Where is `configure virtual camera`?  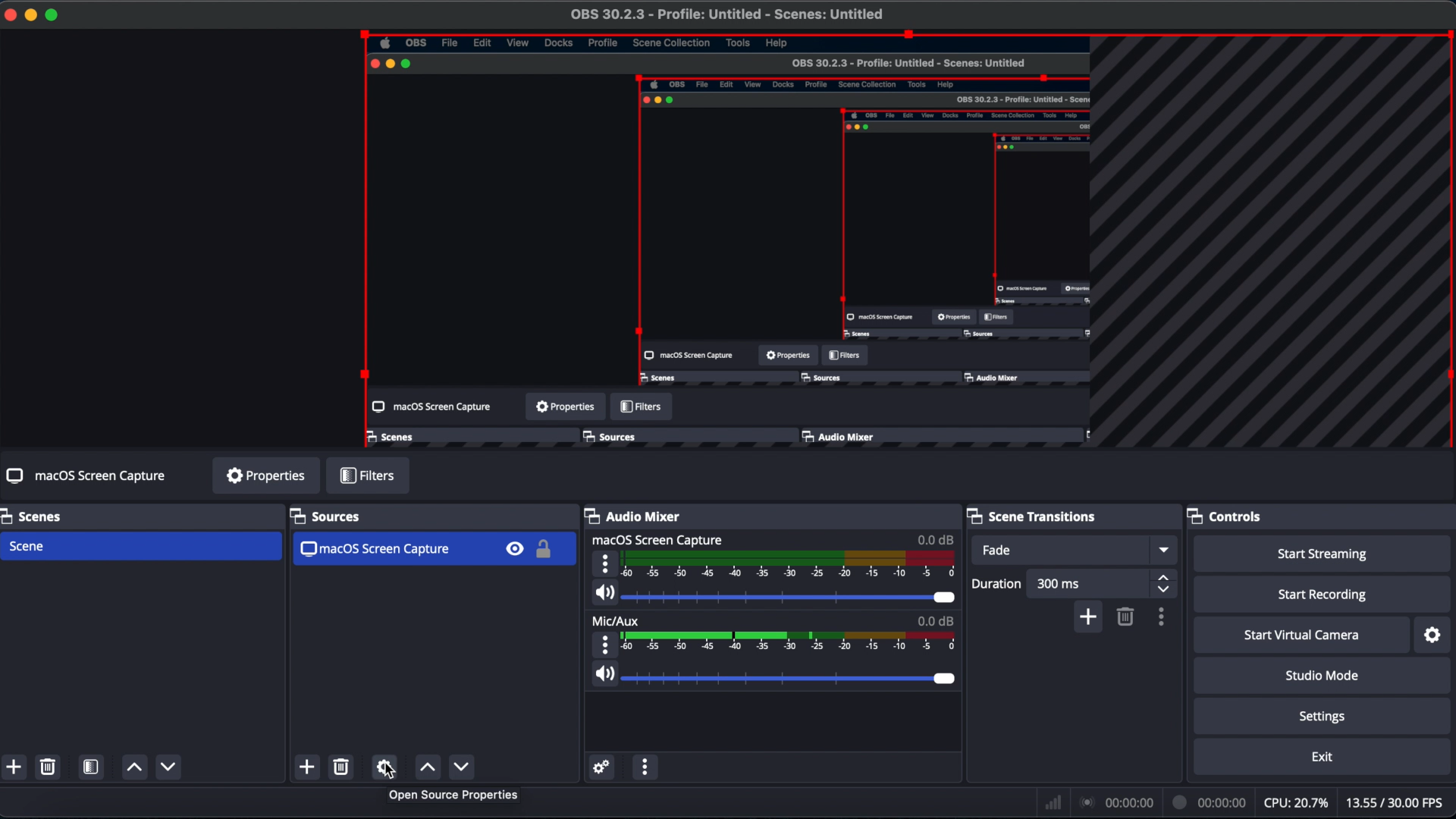 configure virtual camera is located at coordinates (1433, 636).